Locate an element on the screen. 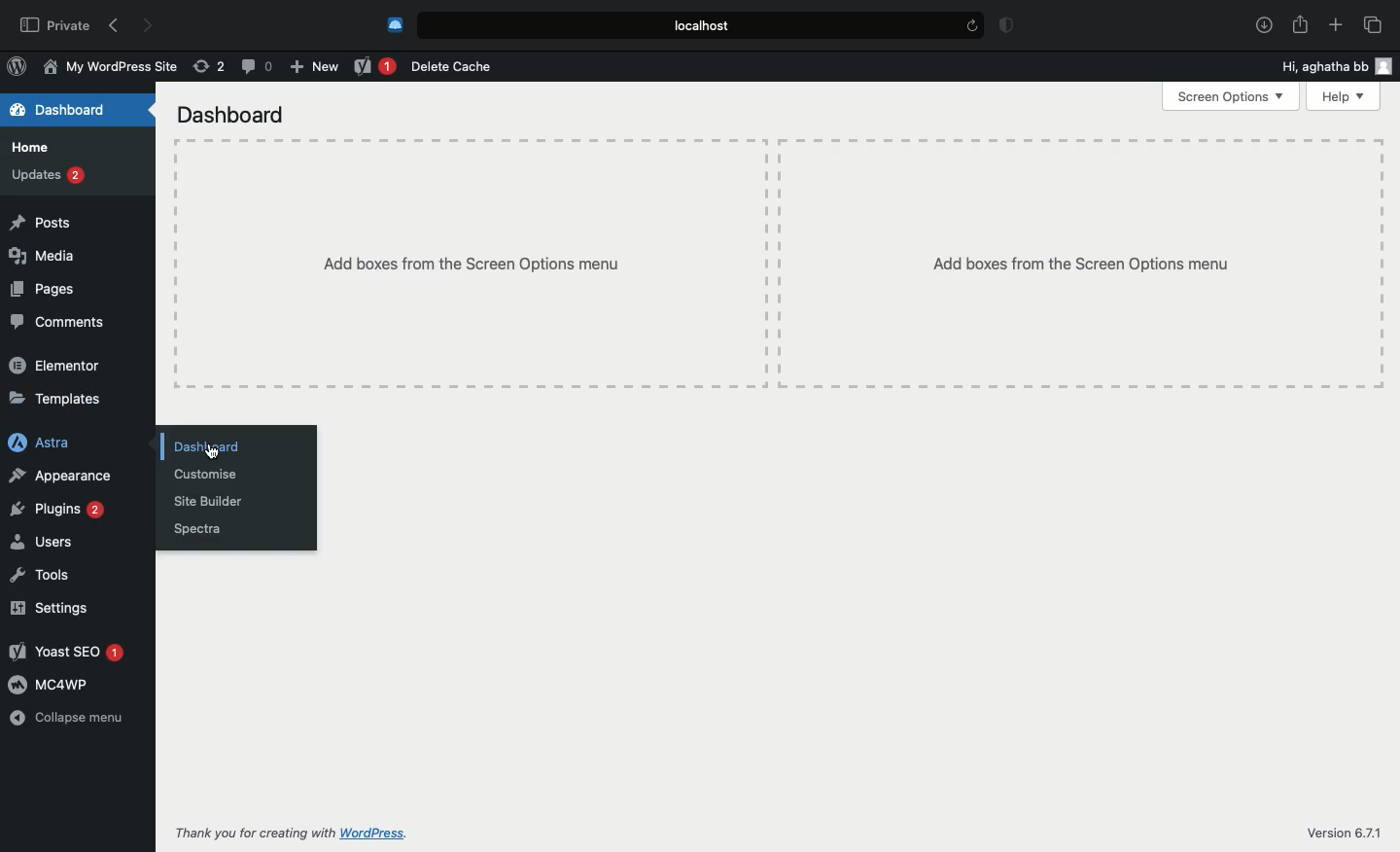 The height and width of the screenshot is (852, 1400). Dashboard is located at coordinates (231, 113).